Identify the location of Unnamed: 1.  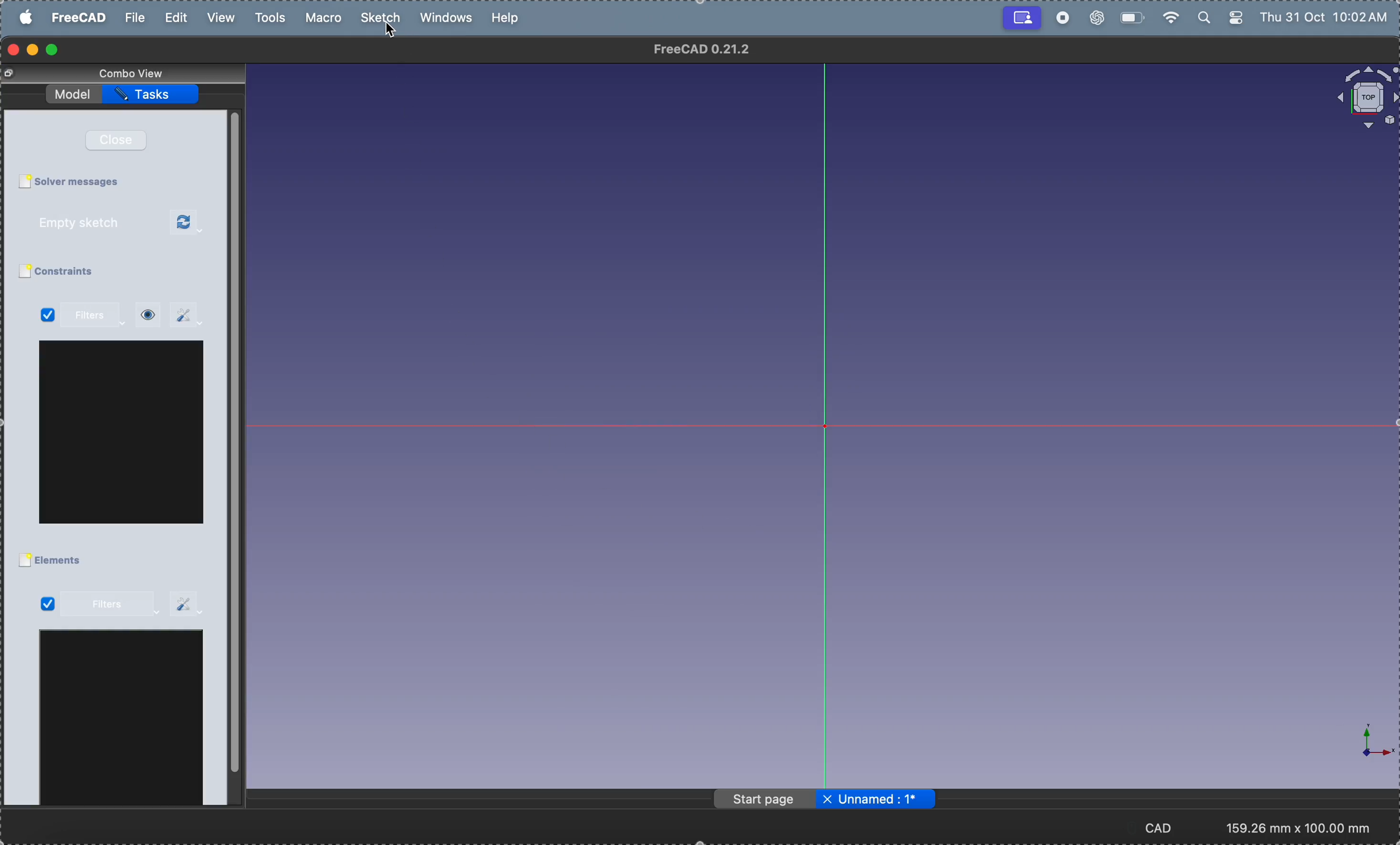
(887, 799).